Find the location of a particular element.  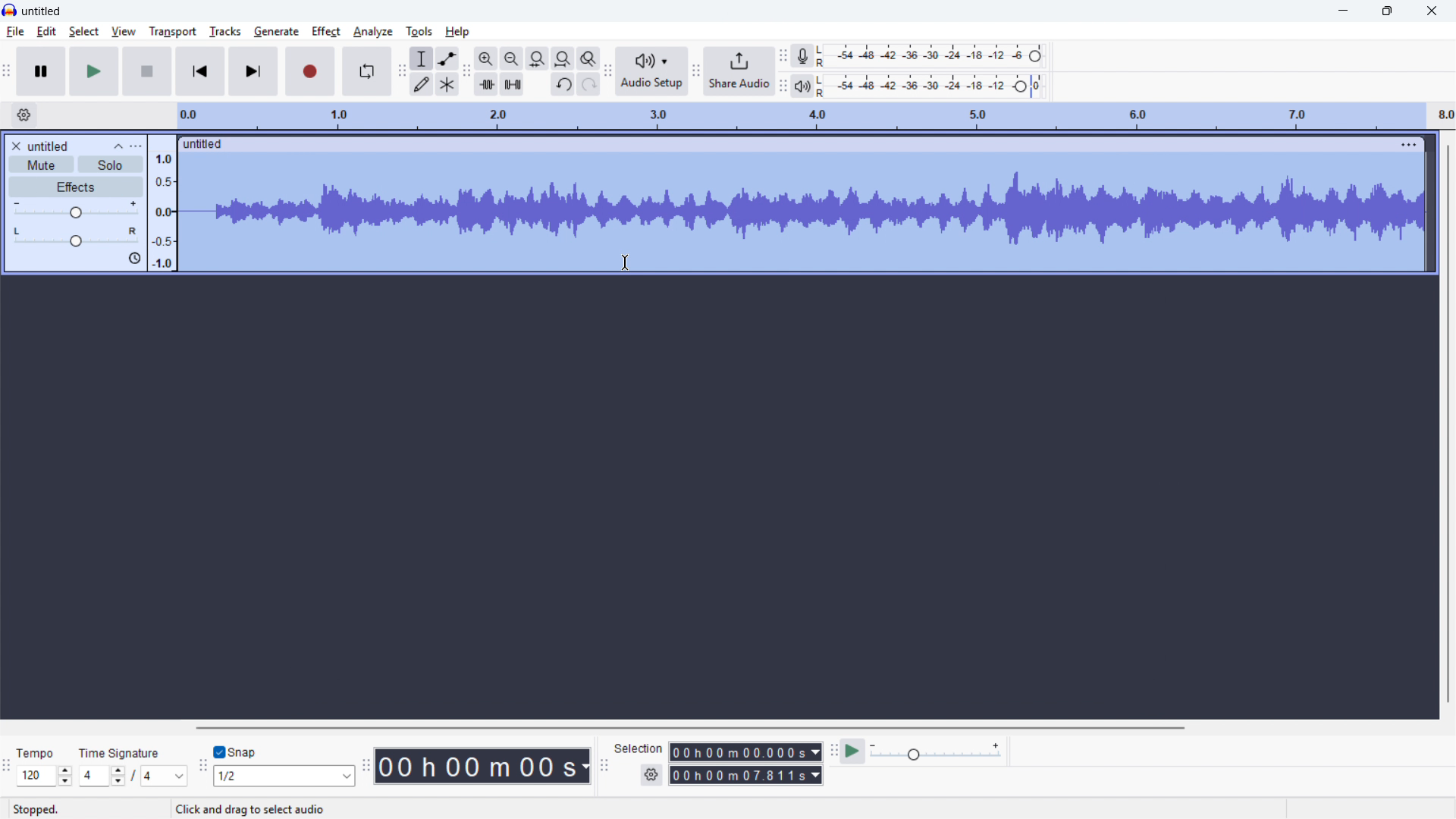

click and drag to select audio is located at coordinates (250, 808).